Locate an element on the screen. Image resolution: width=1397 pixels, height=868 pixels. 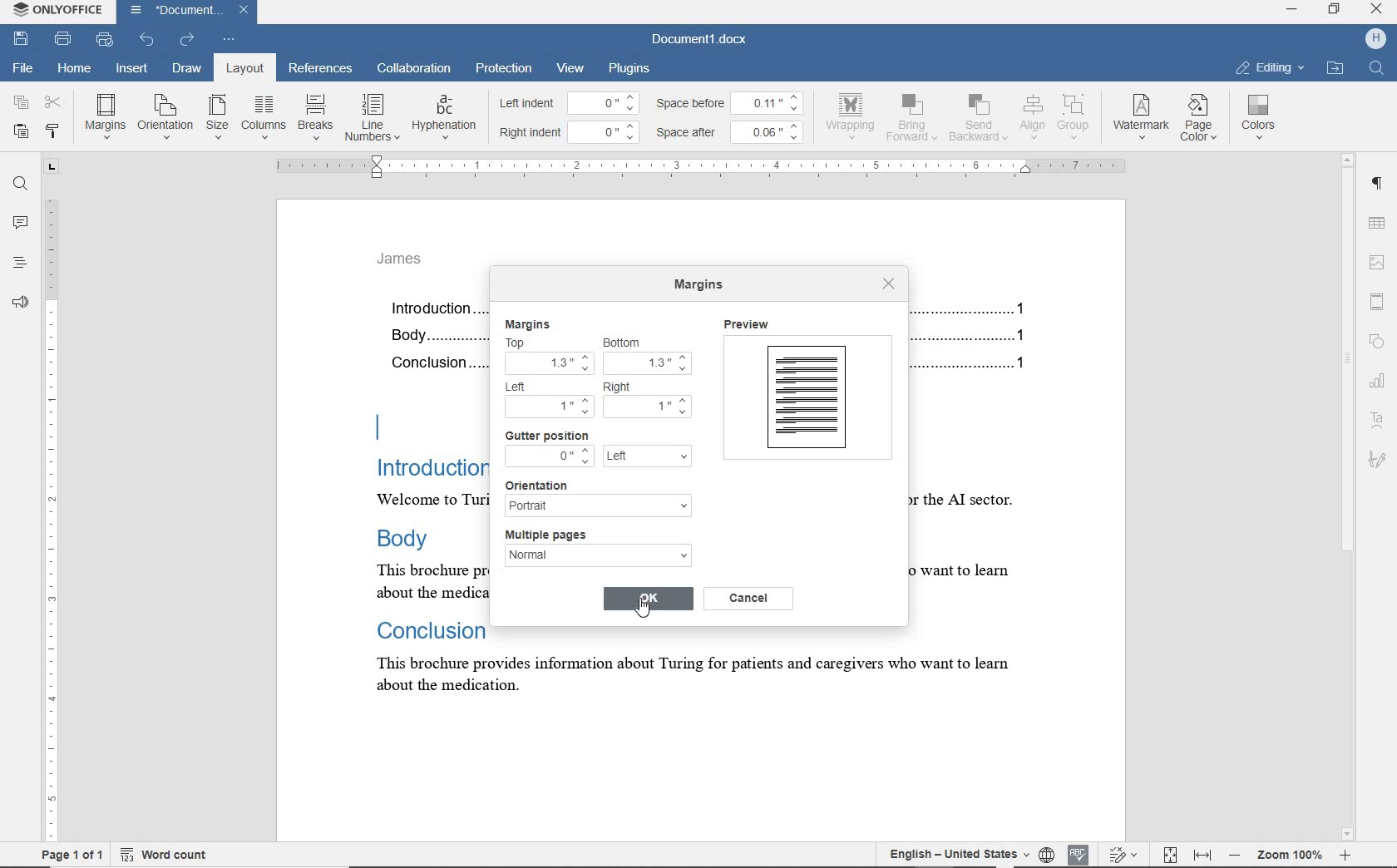
image is located at coordinates (1379, 260).